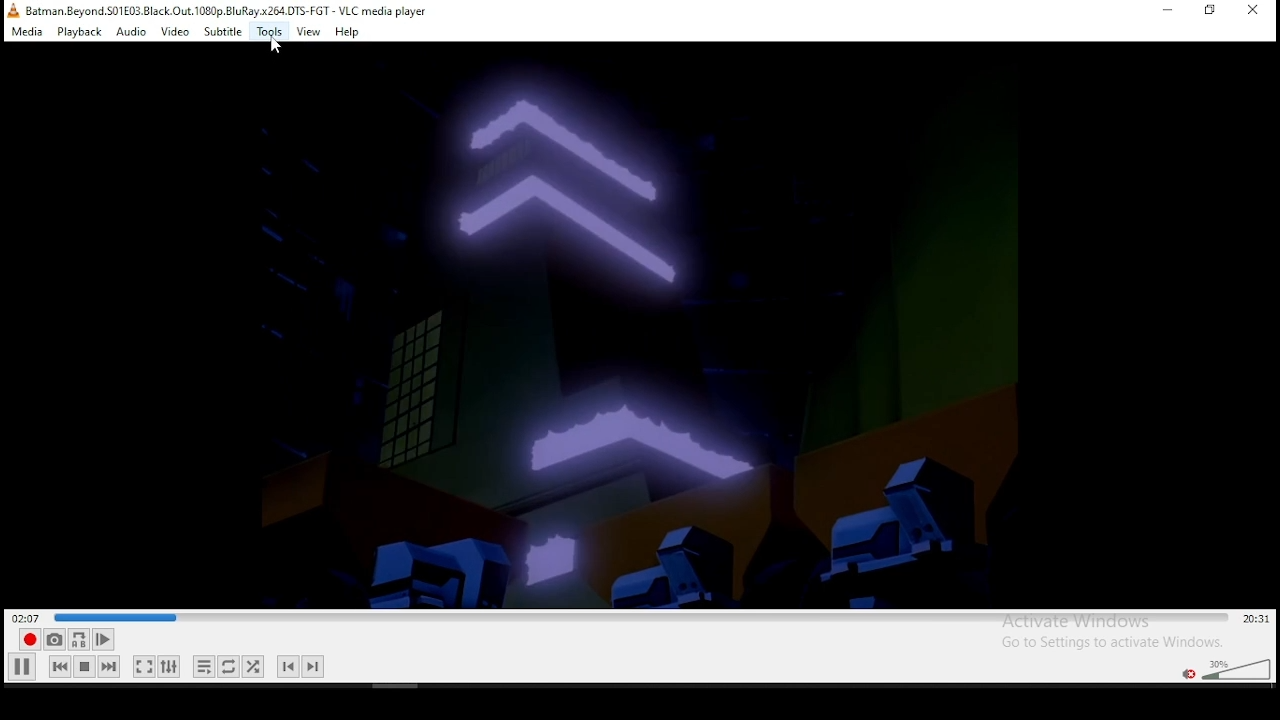  Describe the element at coordinates (30, 639) in the screenshot. I see `record` at that location.